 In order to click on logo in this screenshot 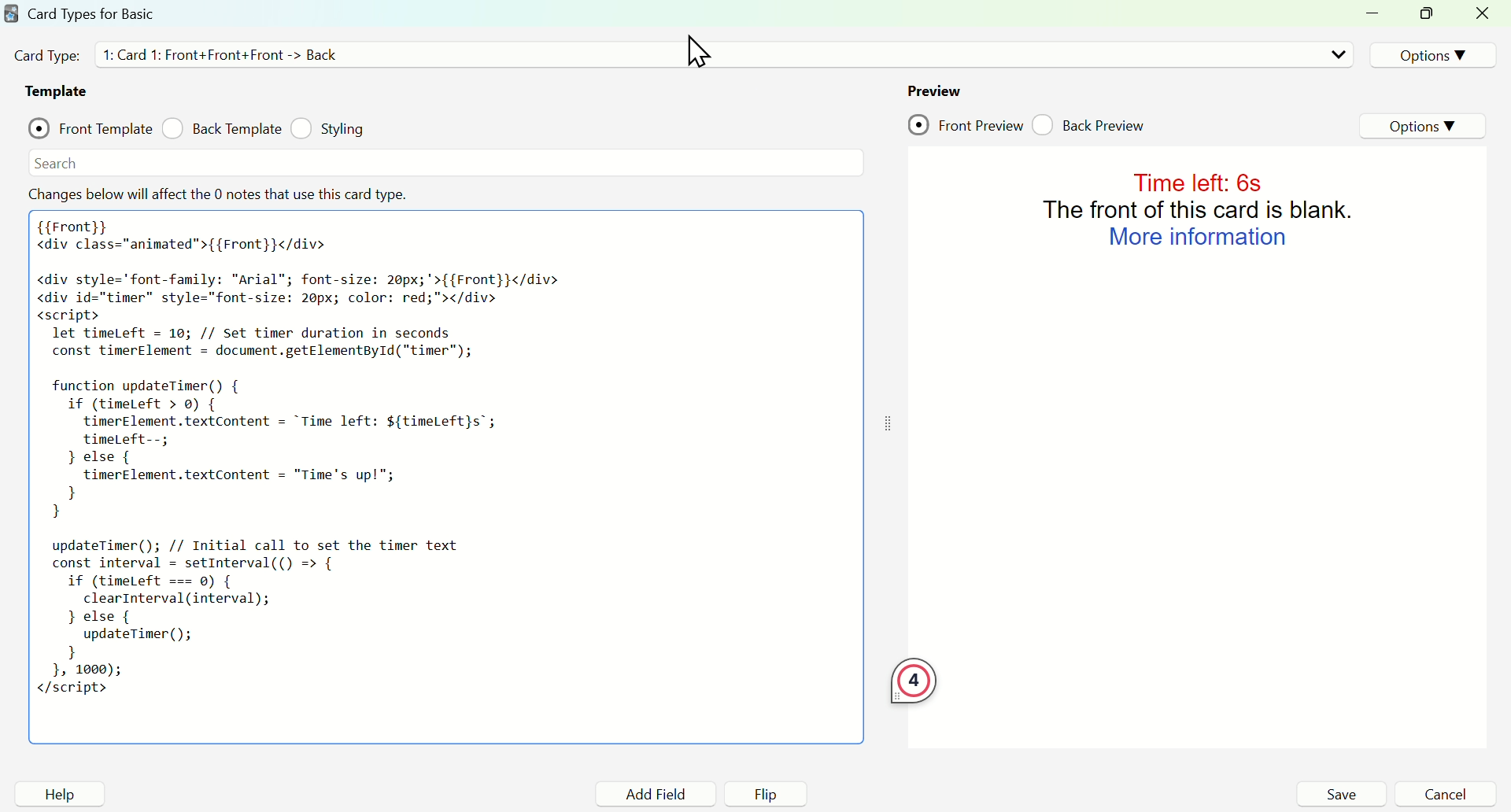, I will do `click(10, 13)`.